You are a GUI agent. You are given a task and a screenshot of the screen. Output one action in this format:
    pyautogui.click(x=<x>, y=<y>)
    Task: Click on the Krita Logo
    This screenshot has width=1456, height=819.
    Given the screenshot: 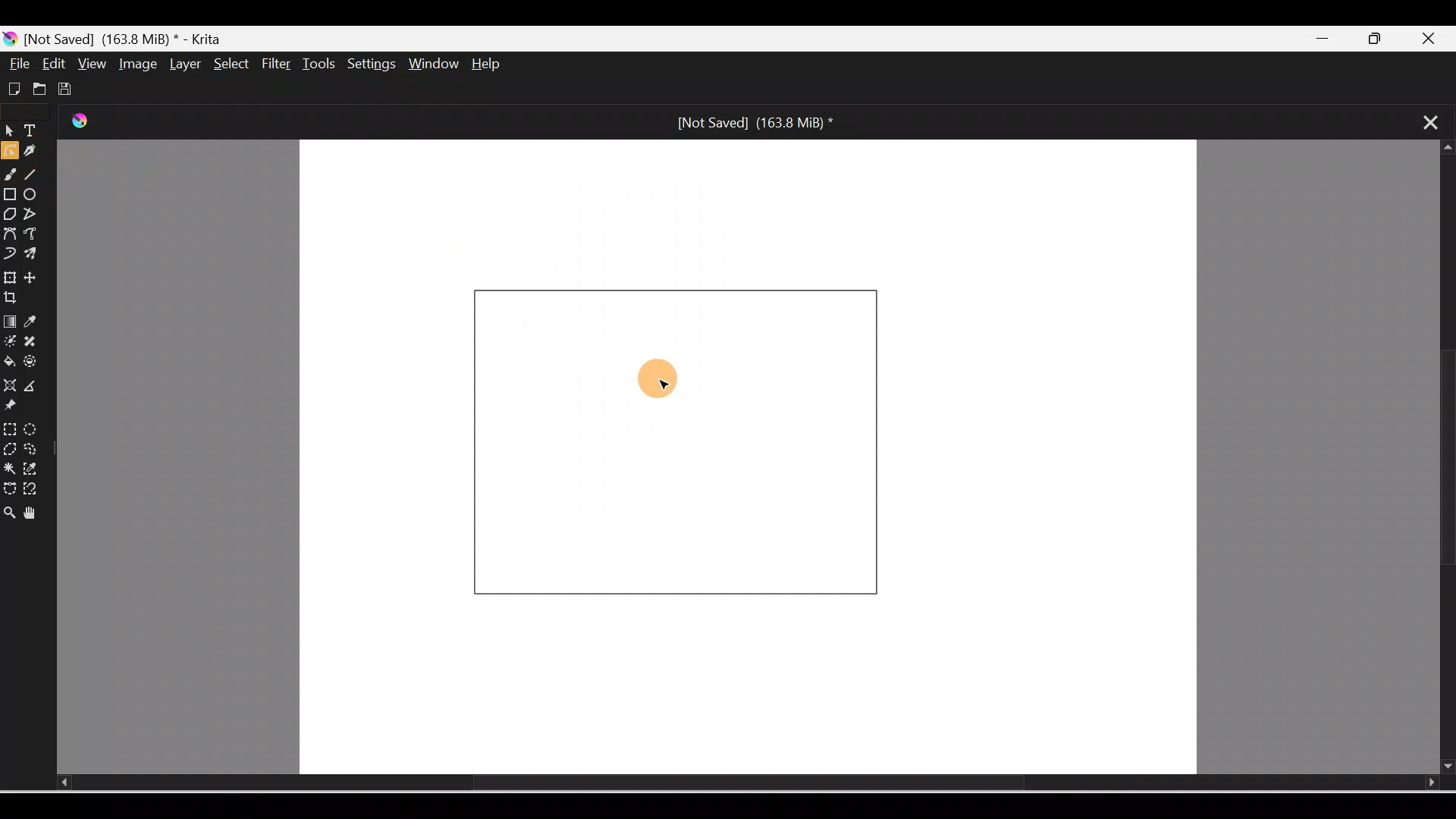 What is the action you would take?
    pyautogui.click(x=87, y=124)
    